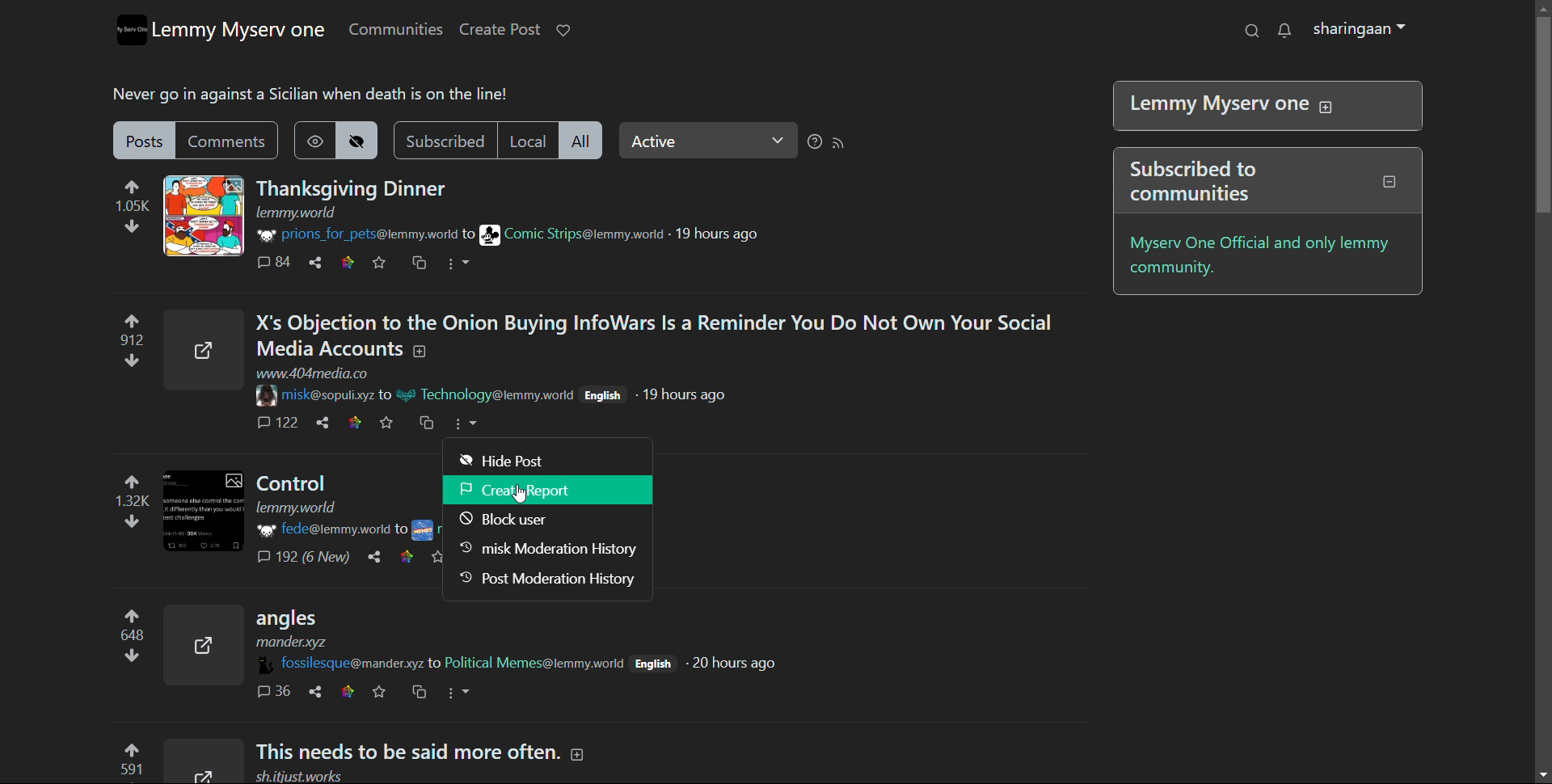 Image resolution: width=1552 pixels, height=784 pixels. What do you see at coordinates (377, 691) in the screenshot?
I see `favorites` at bounding box center [377, 691].